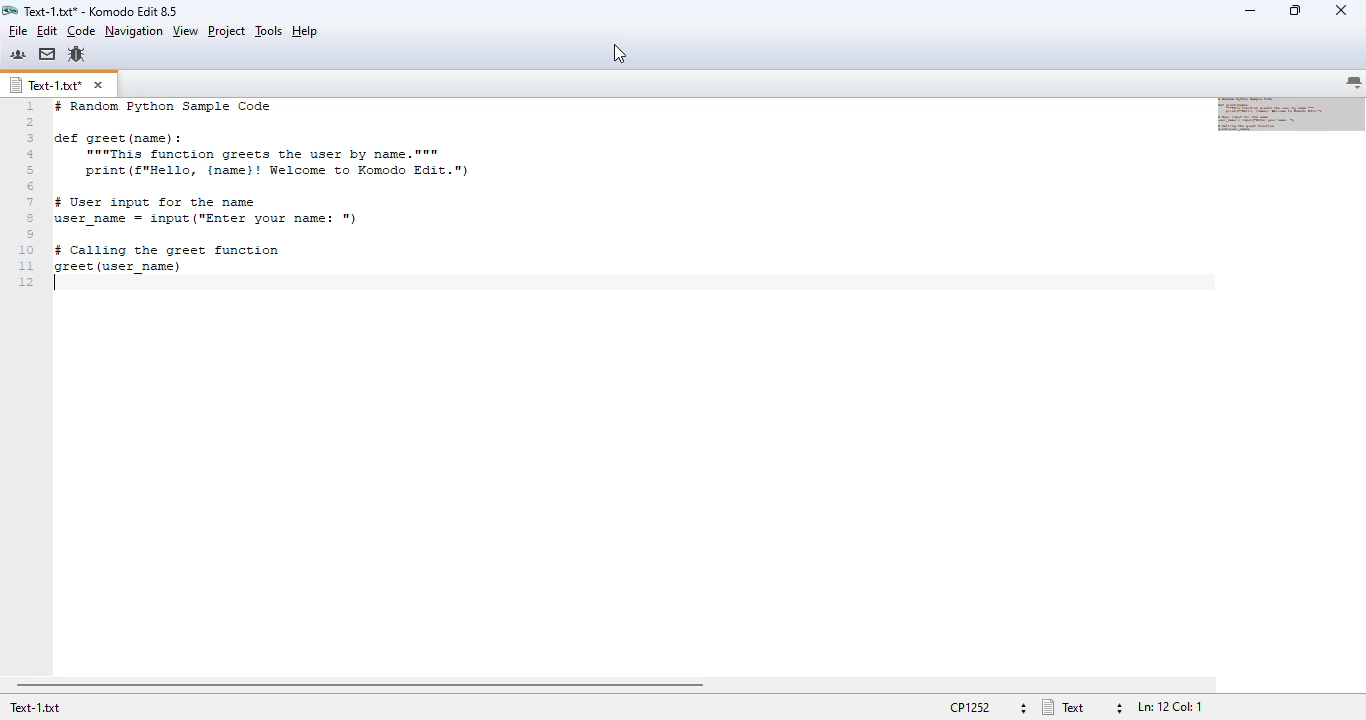 This screenshot has height=720, width=1366. I want to click on text, so click(308, 195).